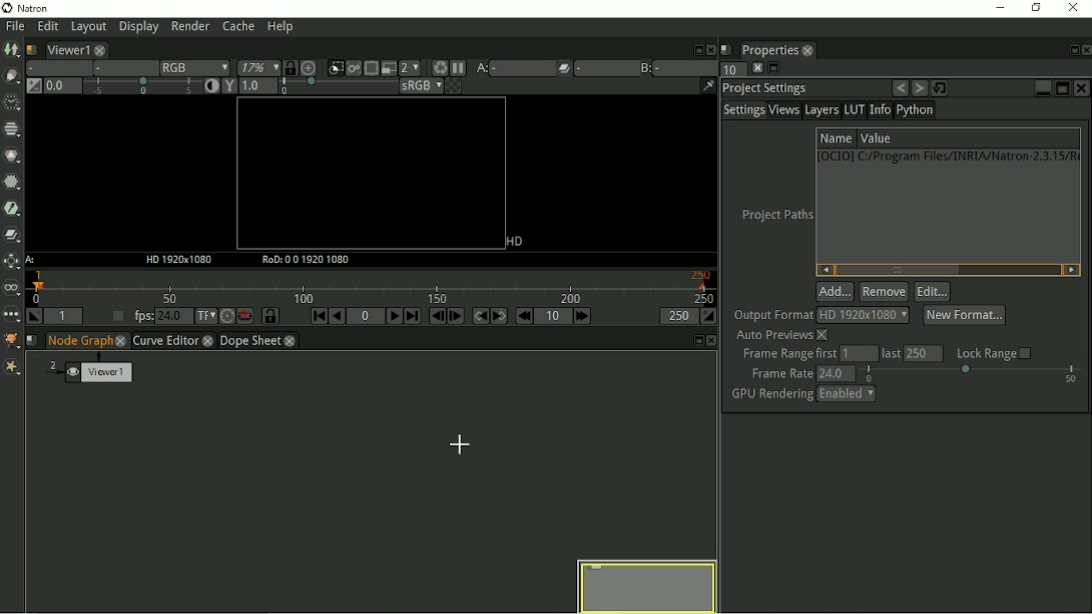 Image resolution: width=1092 pixels, height=614 pixels. I want to click on Layout, so click(88, 27).